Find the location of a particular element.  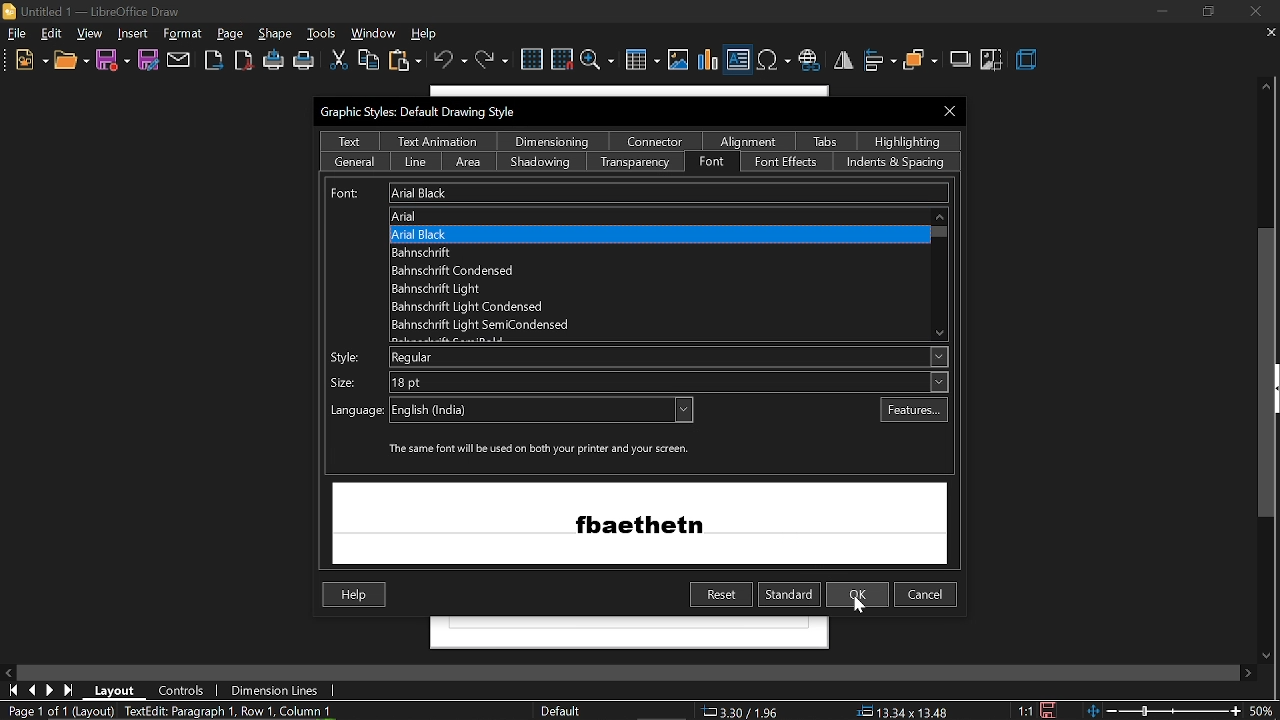

Insert table is located at coordinates (642, 61).